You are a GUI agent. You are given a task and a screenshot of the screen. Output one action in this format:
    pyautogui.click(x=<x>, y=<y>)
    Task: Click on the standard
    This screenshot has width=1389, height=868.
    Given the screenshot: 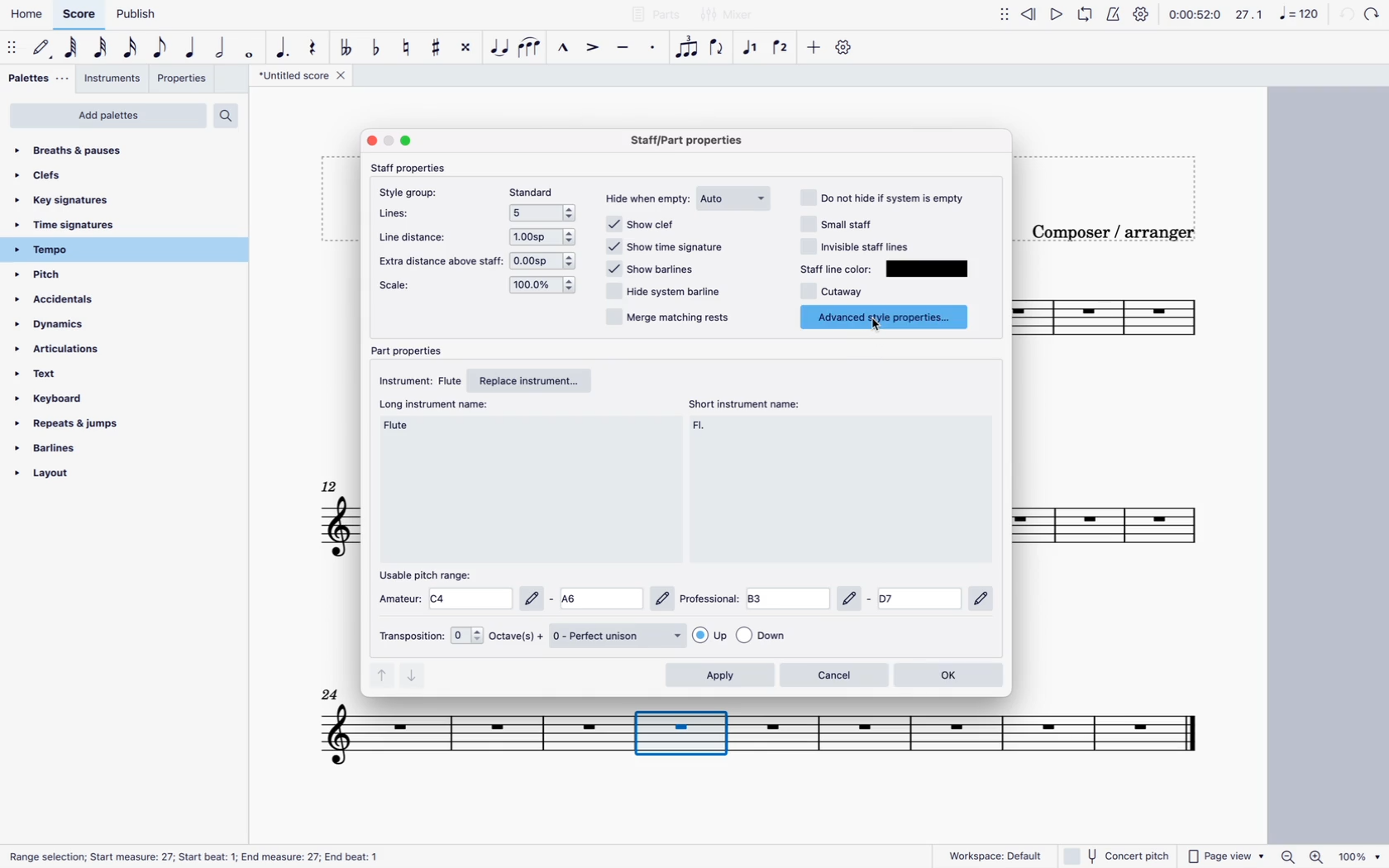 What is the action you would take?
    pyautogui.click(x=532, y=190)
    